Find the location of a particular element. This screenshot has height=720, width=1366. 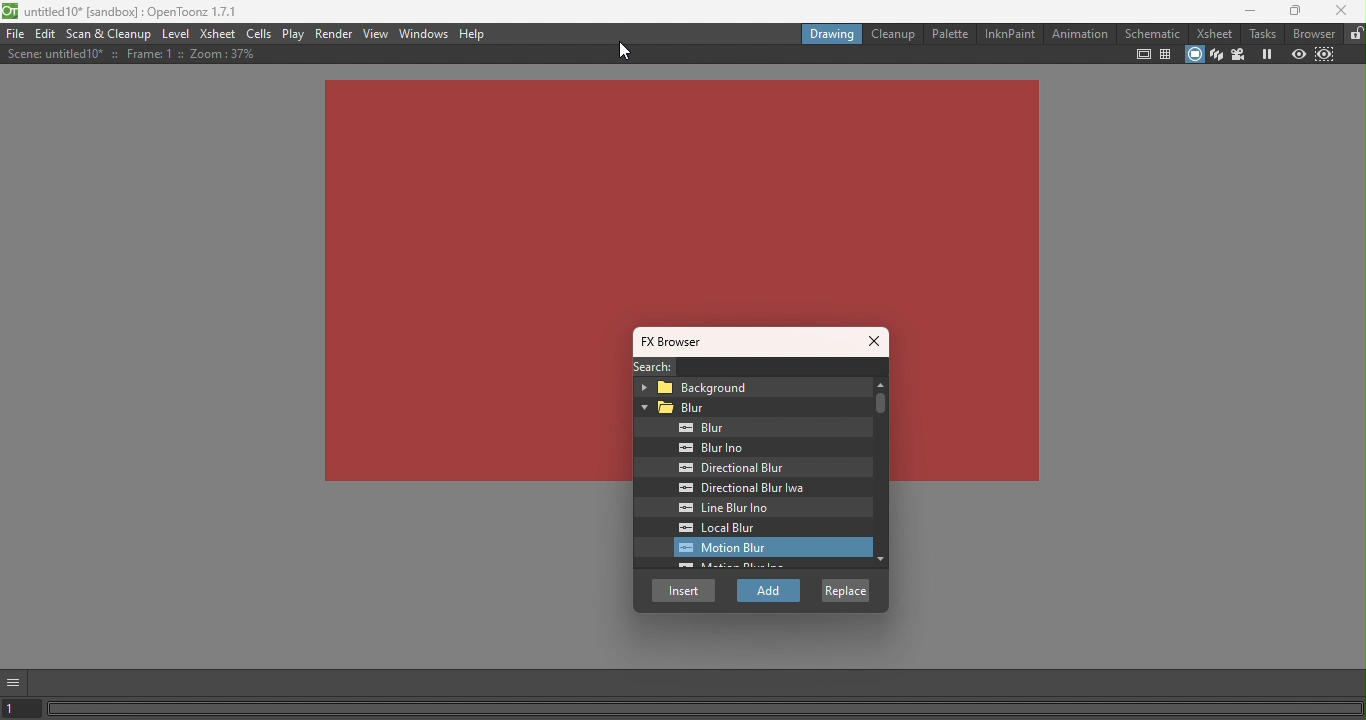

Field guide is located at coordinates (1164, 56).